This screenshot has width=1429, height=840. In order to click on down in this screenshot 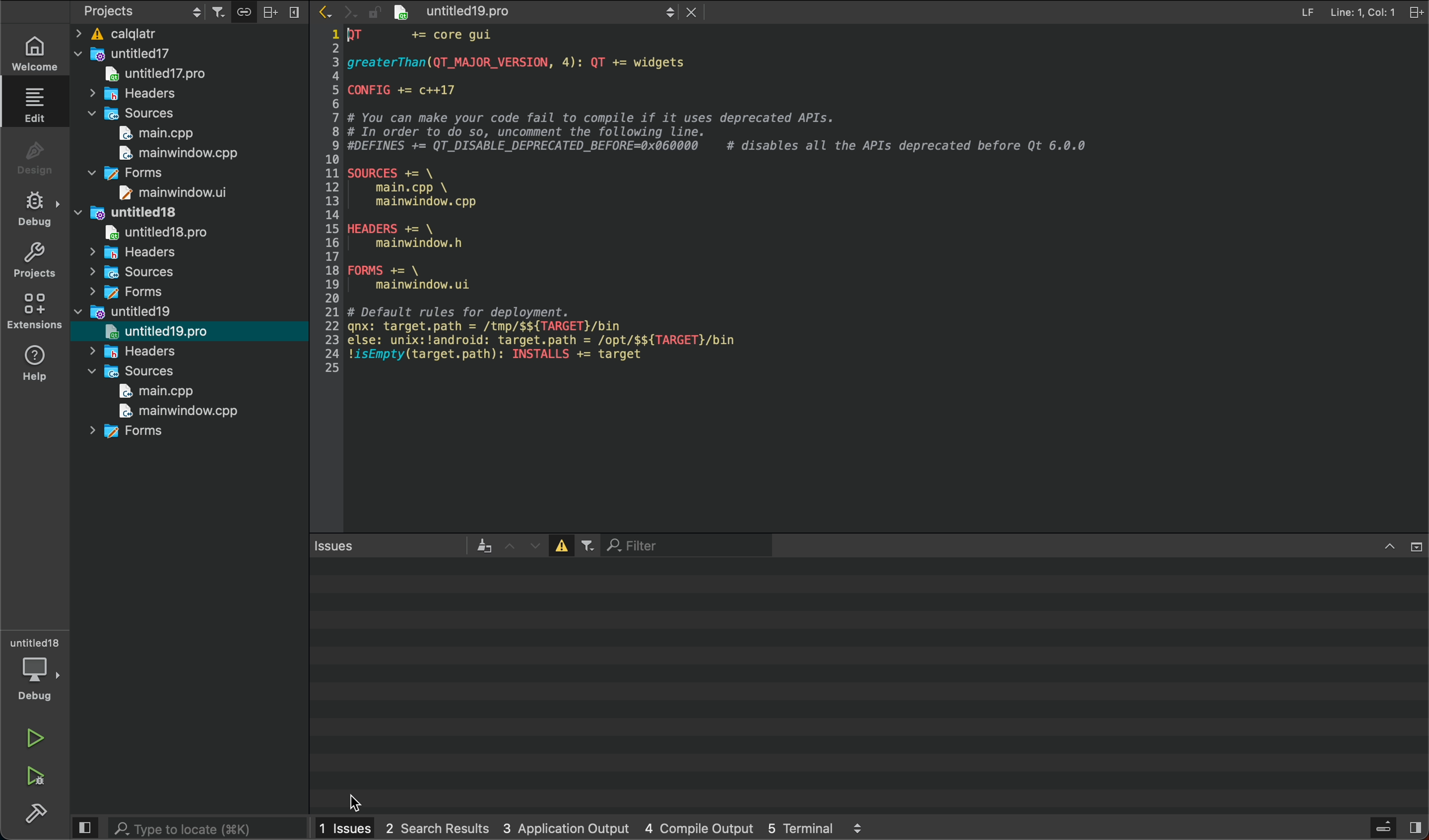, I will do `click(531, 546)`.